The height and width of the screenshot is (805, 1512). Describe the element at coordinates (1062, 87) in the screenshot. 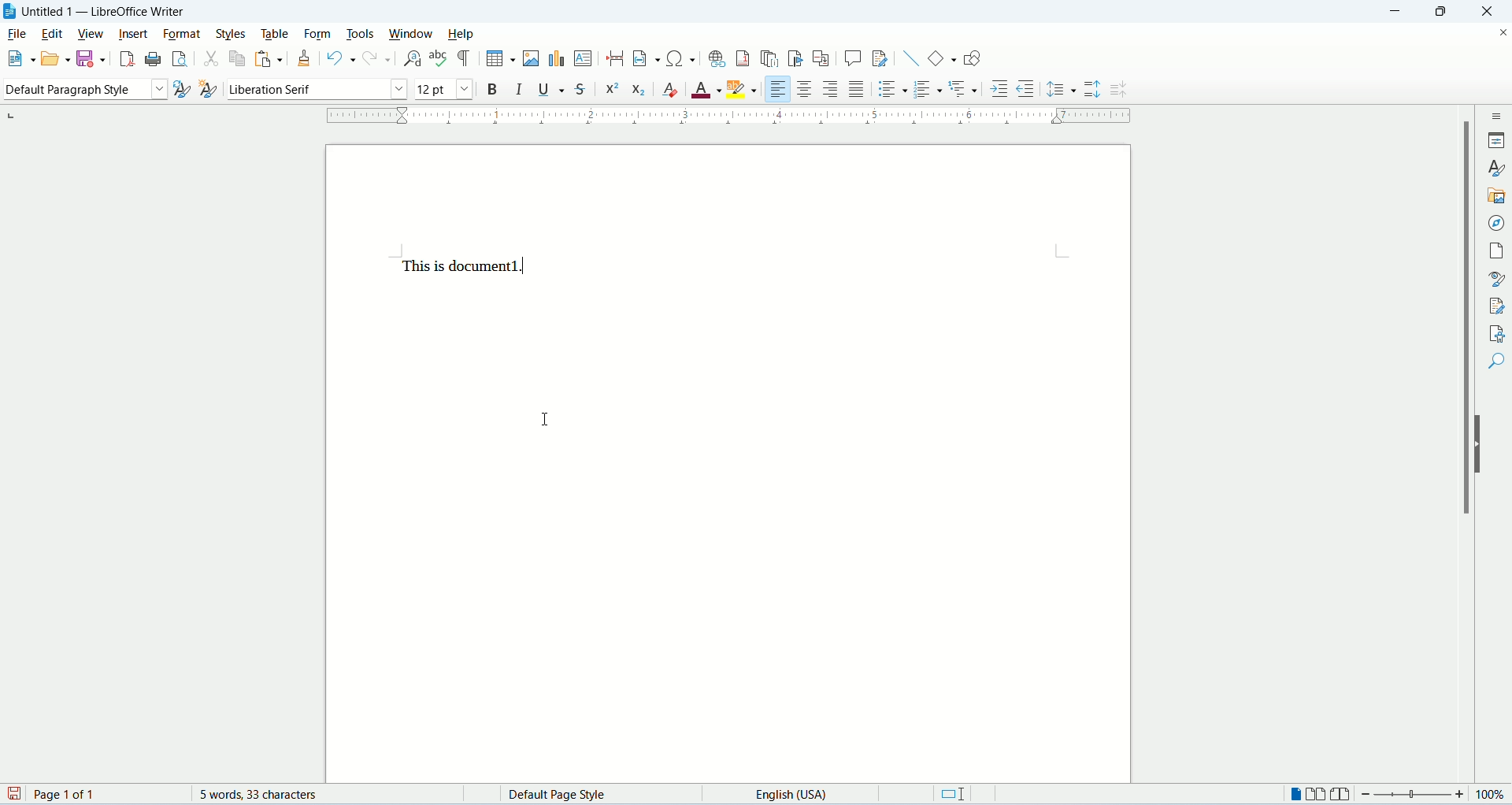

I see `set line spacing` at that location.